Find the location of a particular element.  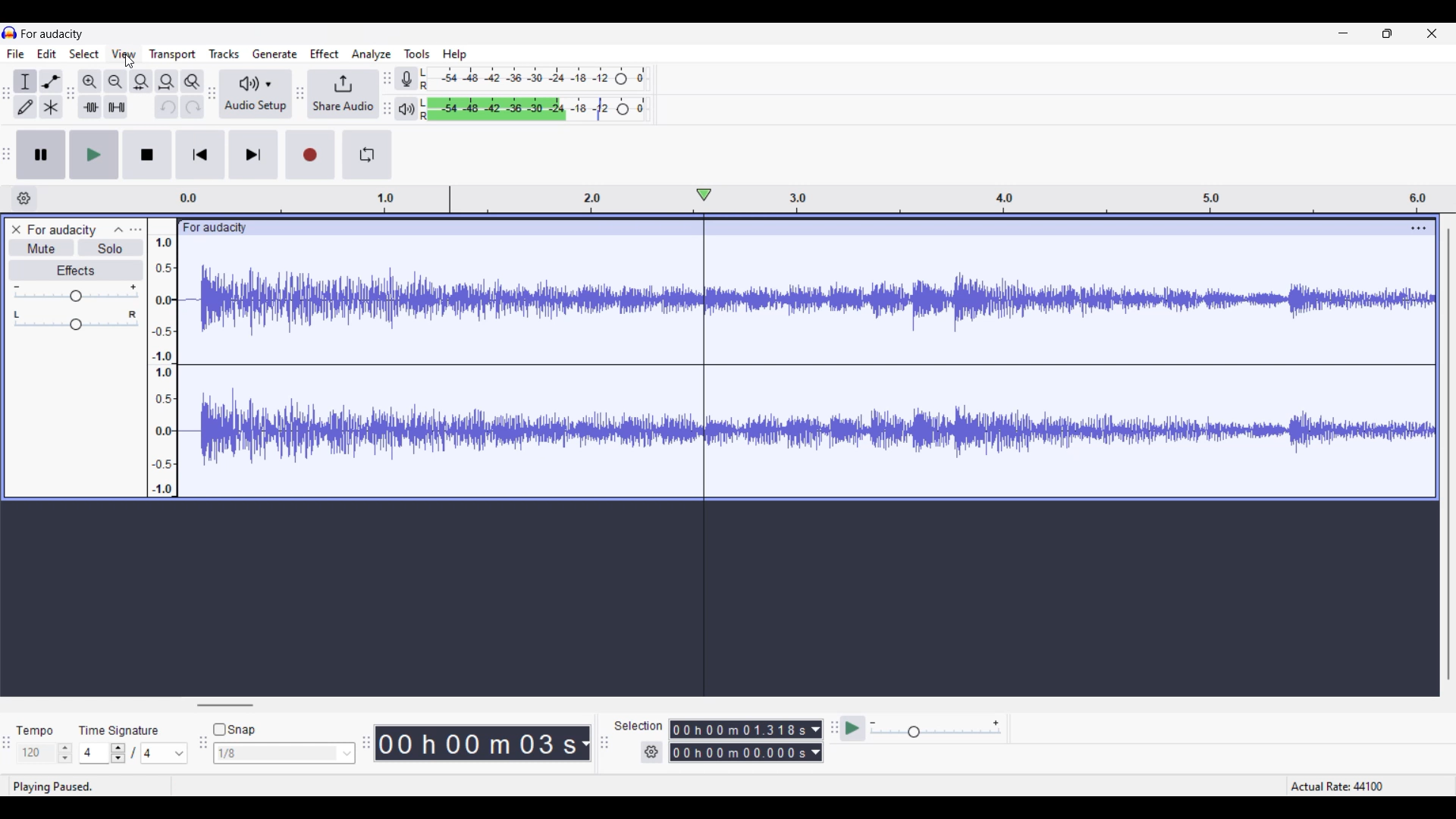

Selection settings is located at coordinates (651, 752).